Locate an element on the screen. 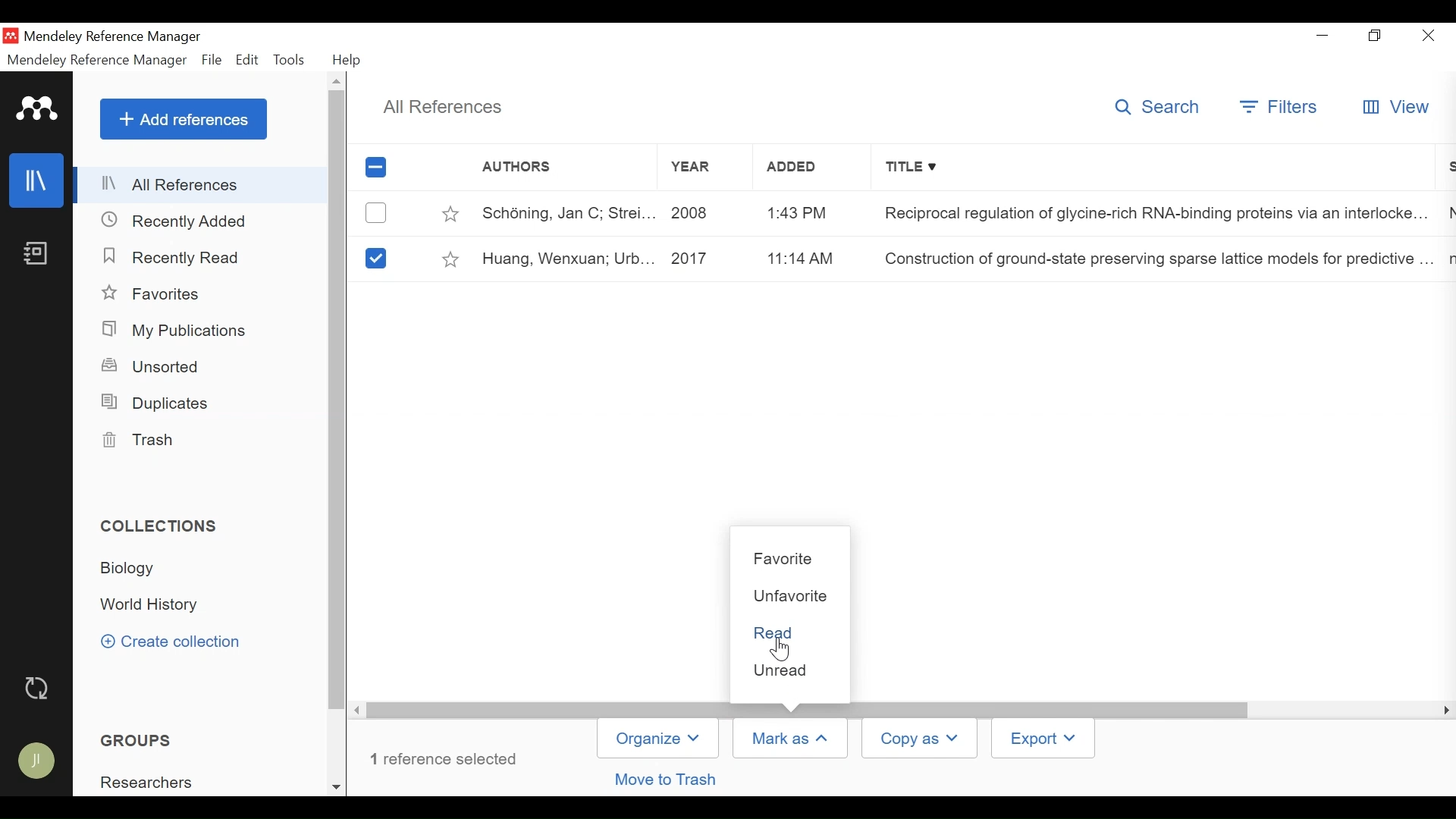 This screenshot has height=819, width=1456. (un)select is located at coordinates (375, 168).